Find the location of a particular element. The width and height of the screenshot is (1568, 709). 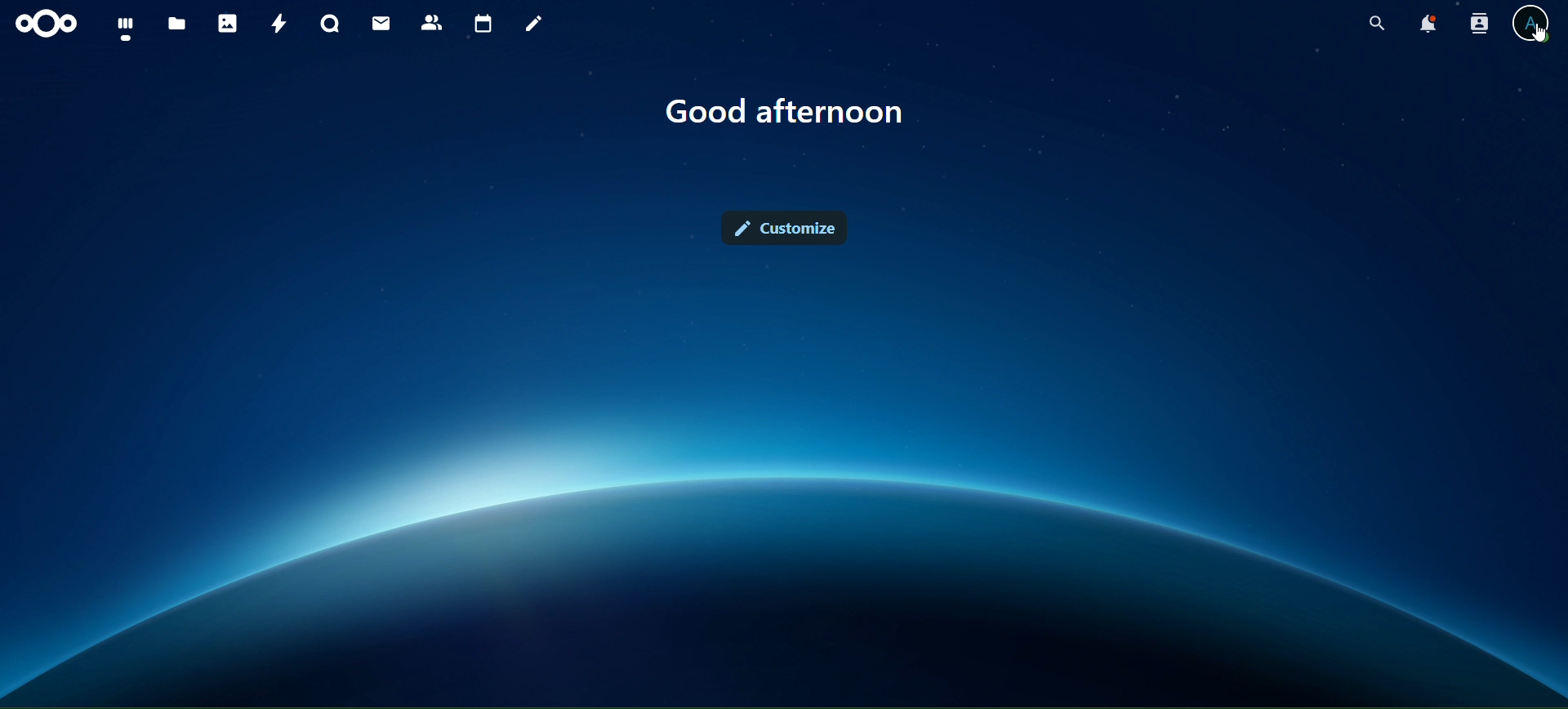

search is located at coordinates (1371, 22).